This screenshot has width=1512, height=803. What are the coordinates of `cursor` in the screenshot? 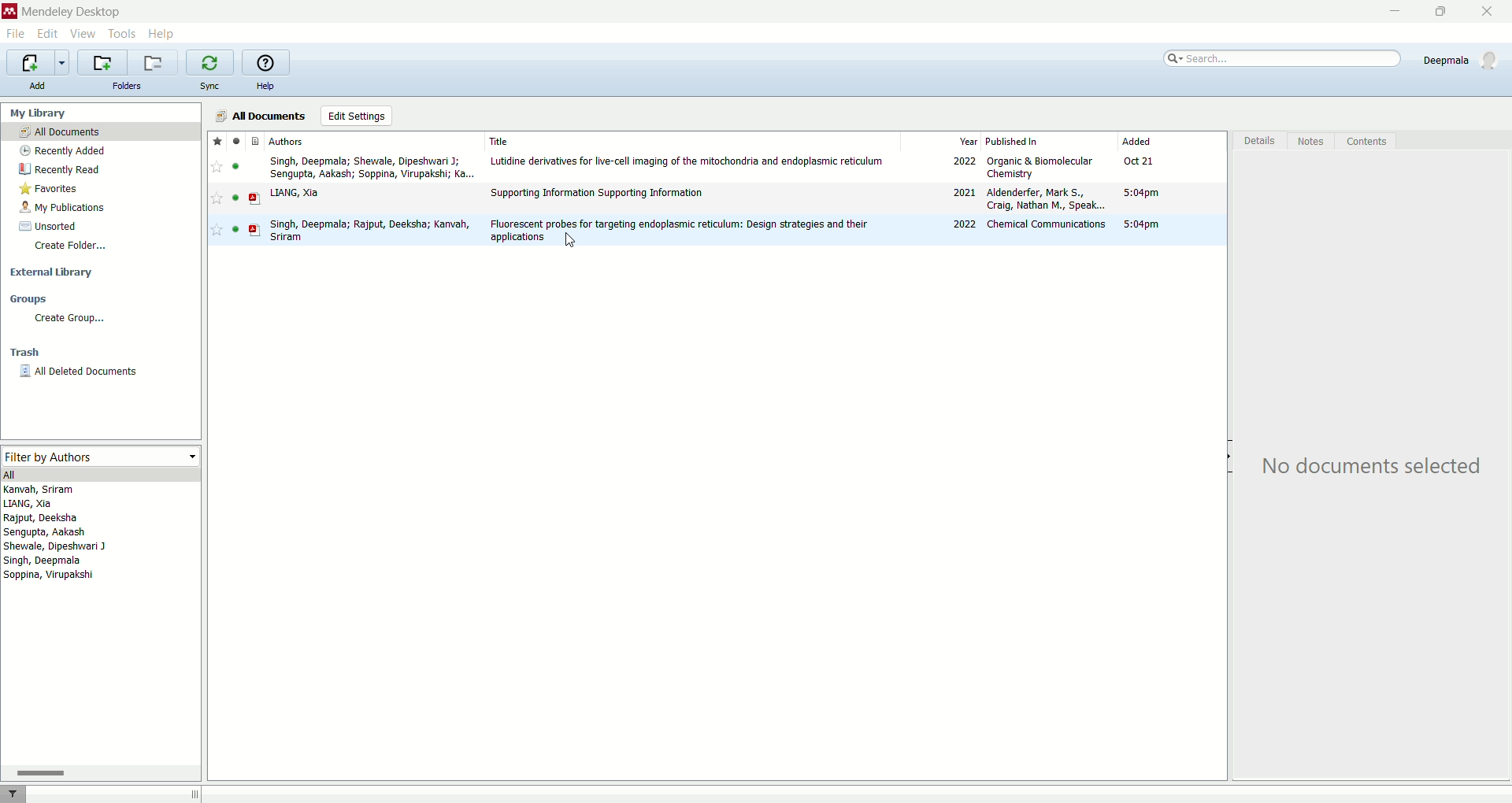 It's located at (573, 244).